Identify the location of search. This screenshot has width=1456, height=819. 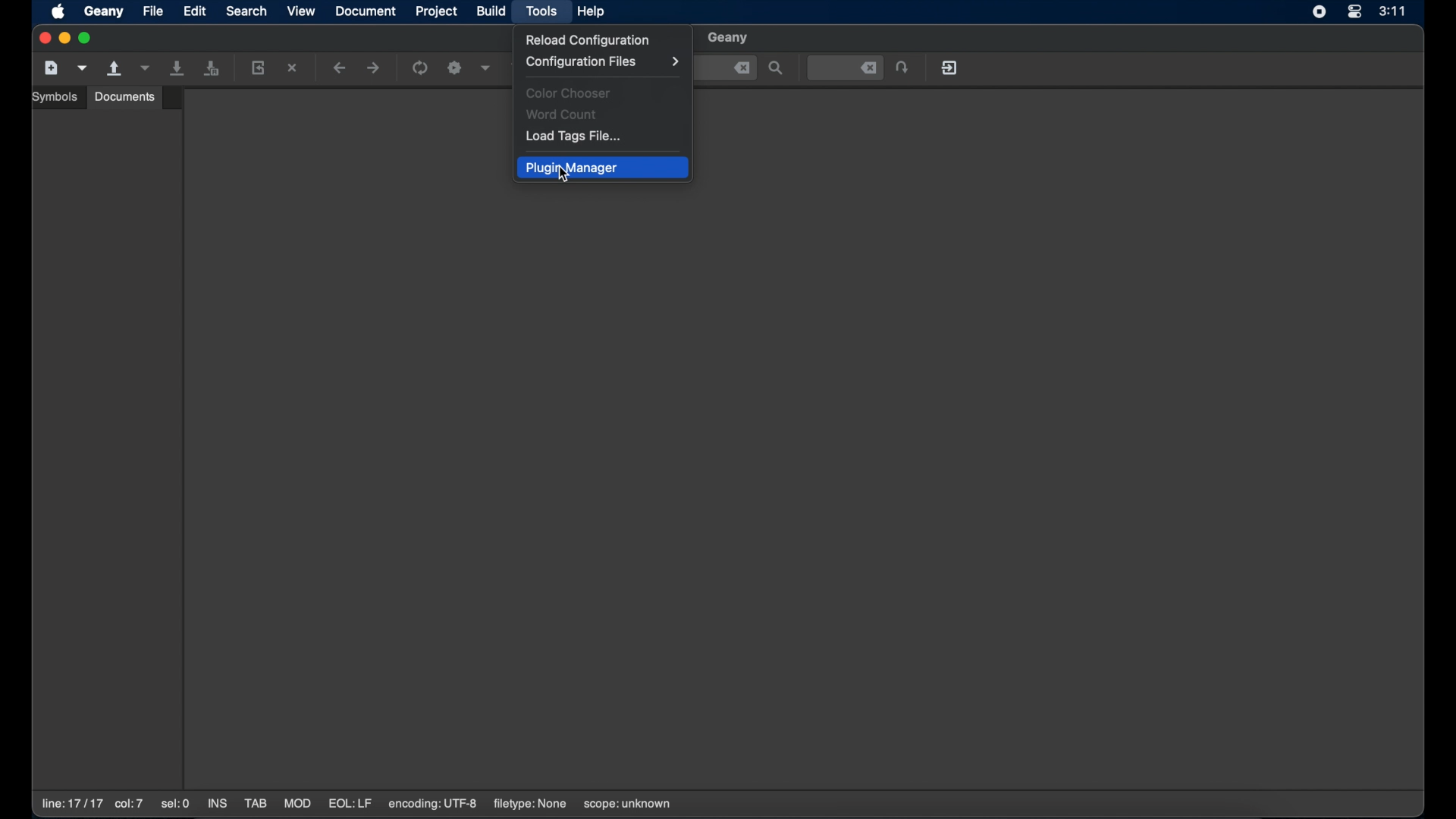
(246, 11).